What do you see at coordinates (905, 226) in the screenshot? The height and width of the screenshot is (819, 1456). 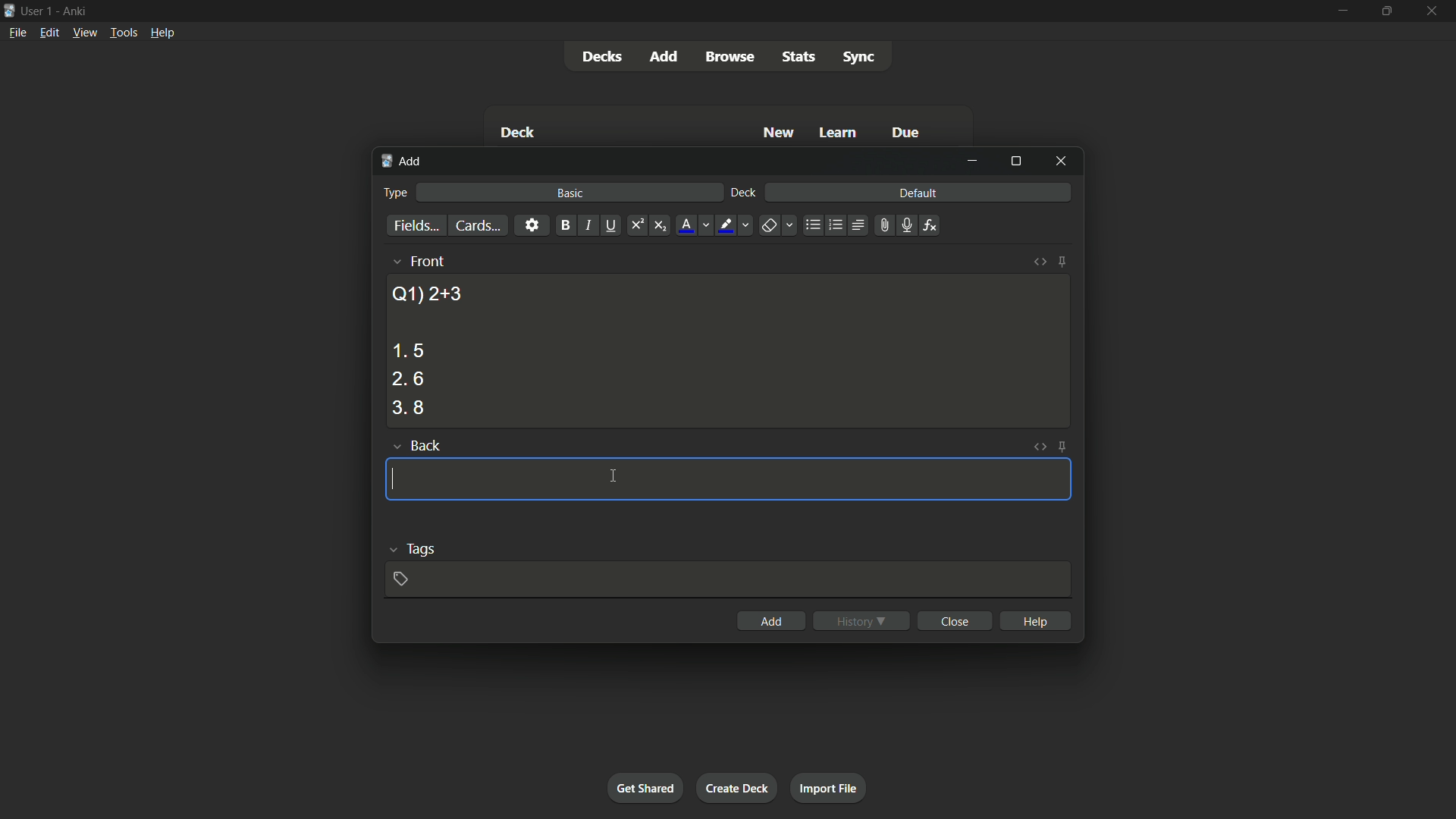 I see `record audio` at bounding box center [905, 226].